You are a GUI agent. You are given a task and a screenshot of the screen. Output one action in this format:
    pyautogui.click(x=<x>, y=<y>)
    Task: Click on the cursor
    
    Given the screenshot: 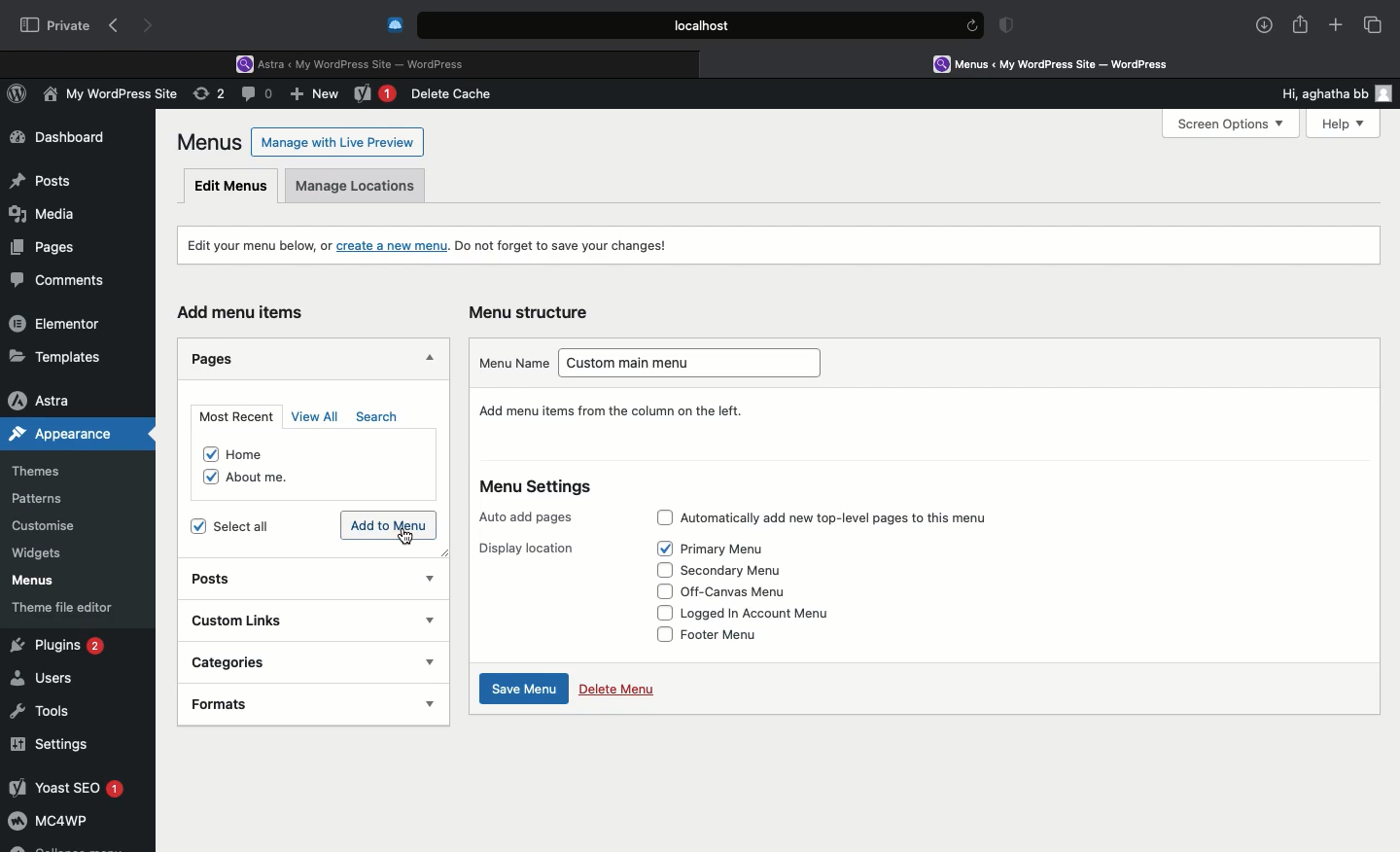 What is the action you would take?
    pyautogui.click(x=405, y=539)
    